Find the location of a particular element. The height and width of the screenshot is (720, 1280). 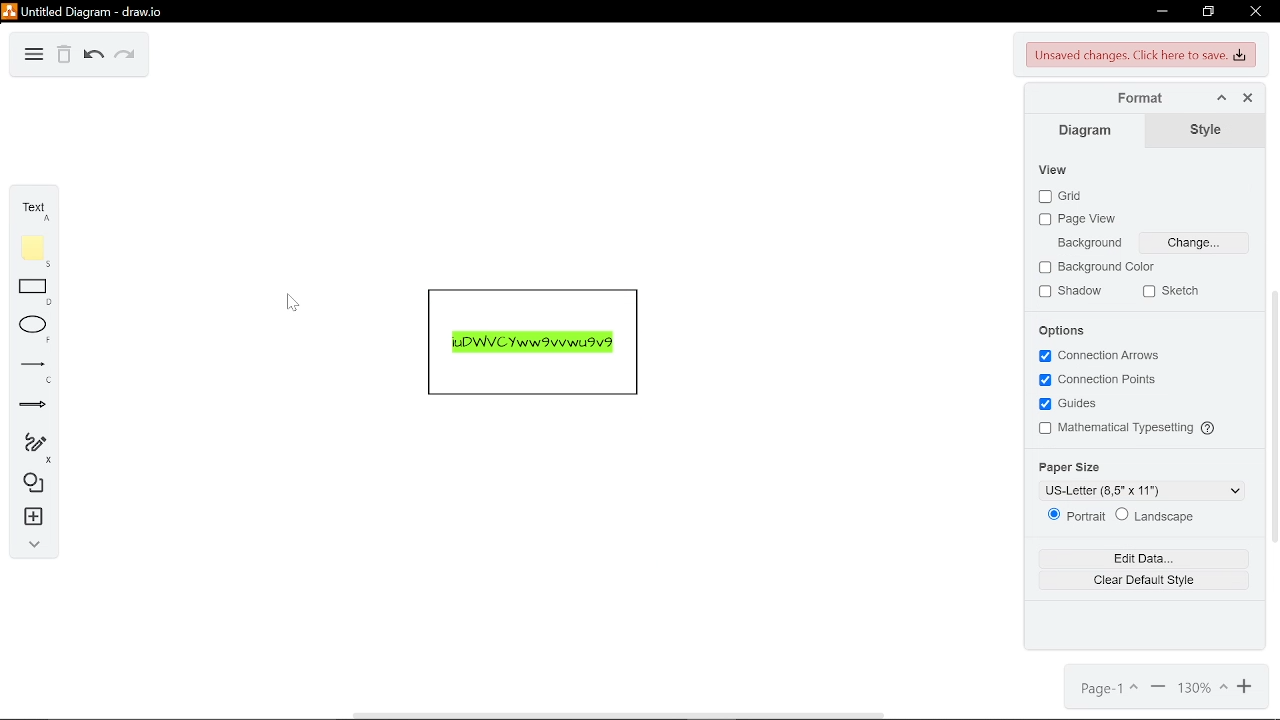

insert is located at coordinates (29, 520).